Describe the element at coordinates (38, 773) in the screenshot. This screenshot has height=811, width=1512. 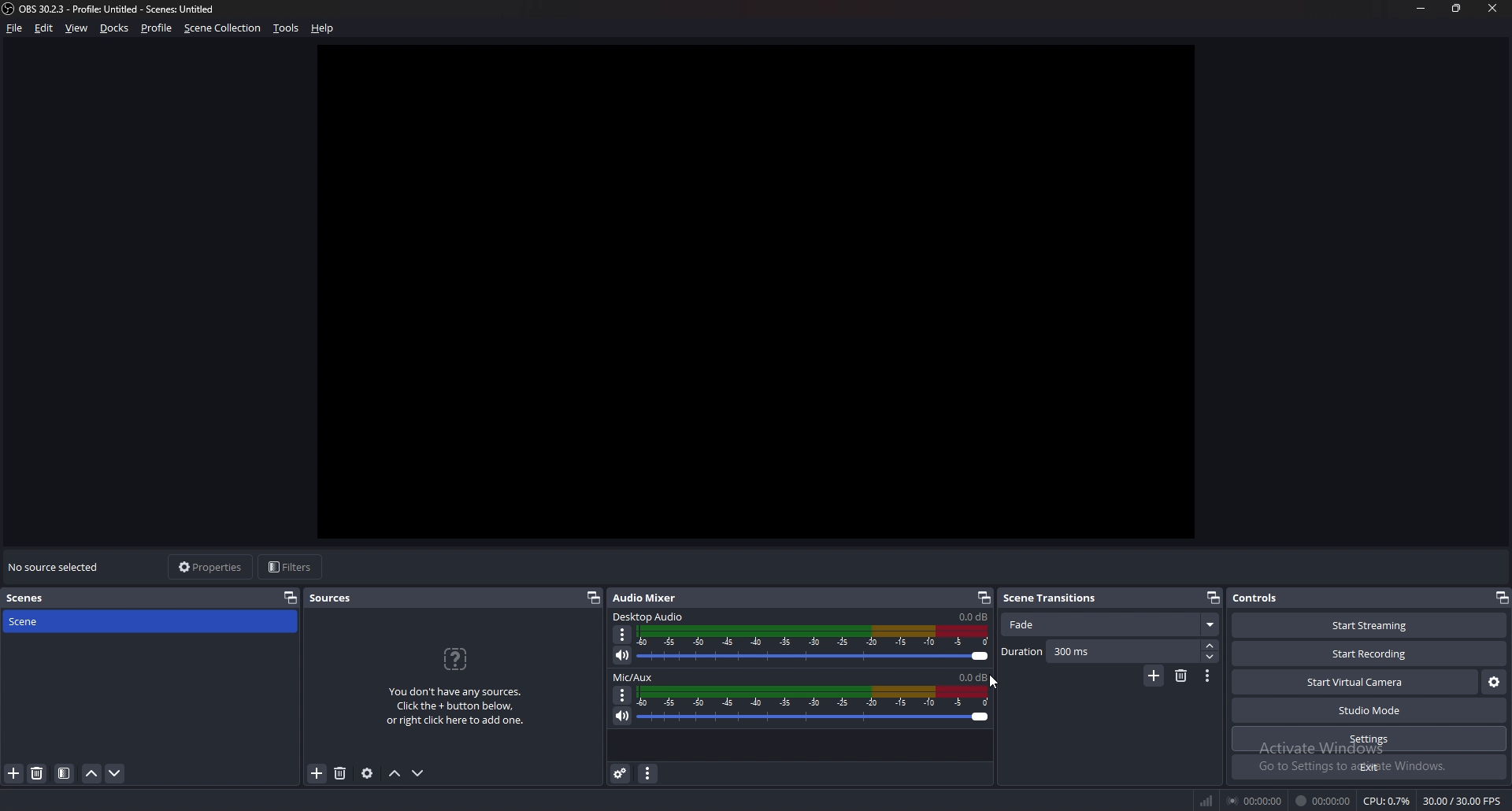
I see `remove scene` at that location.